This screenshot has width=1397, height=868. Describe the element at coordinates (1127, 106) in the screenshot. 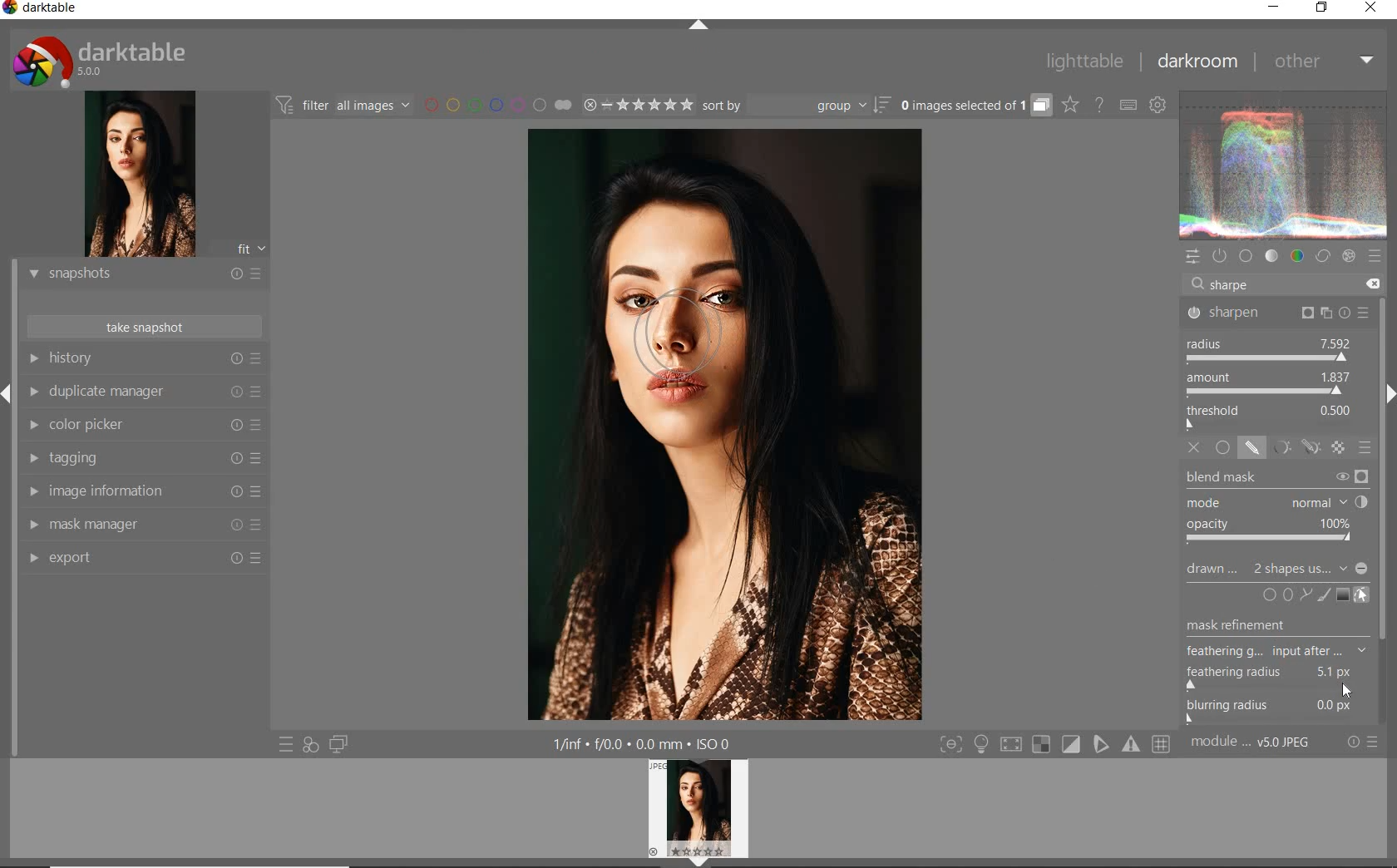

I see `set keyboard shortcuts` at that location.